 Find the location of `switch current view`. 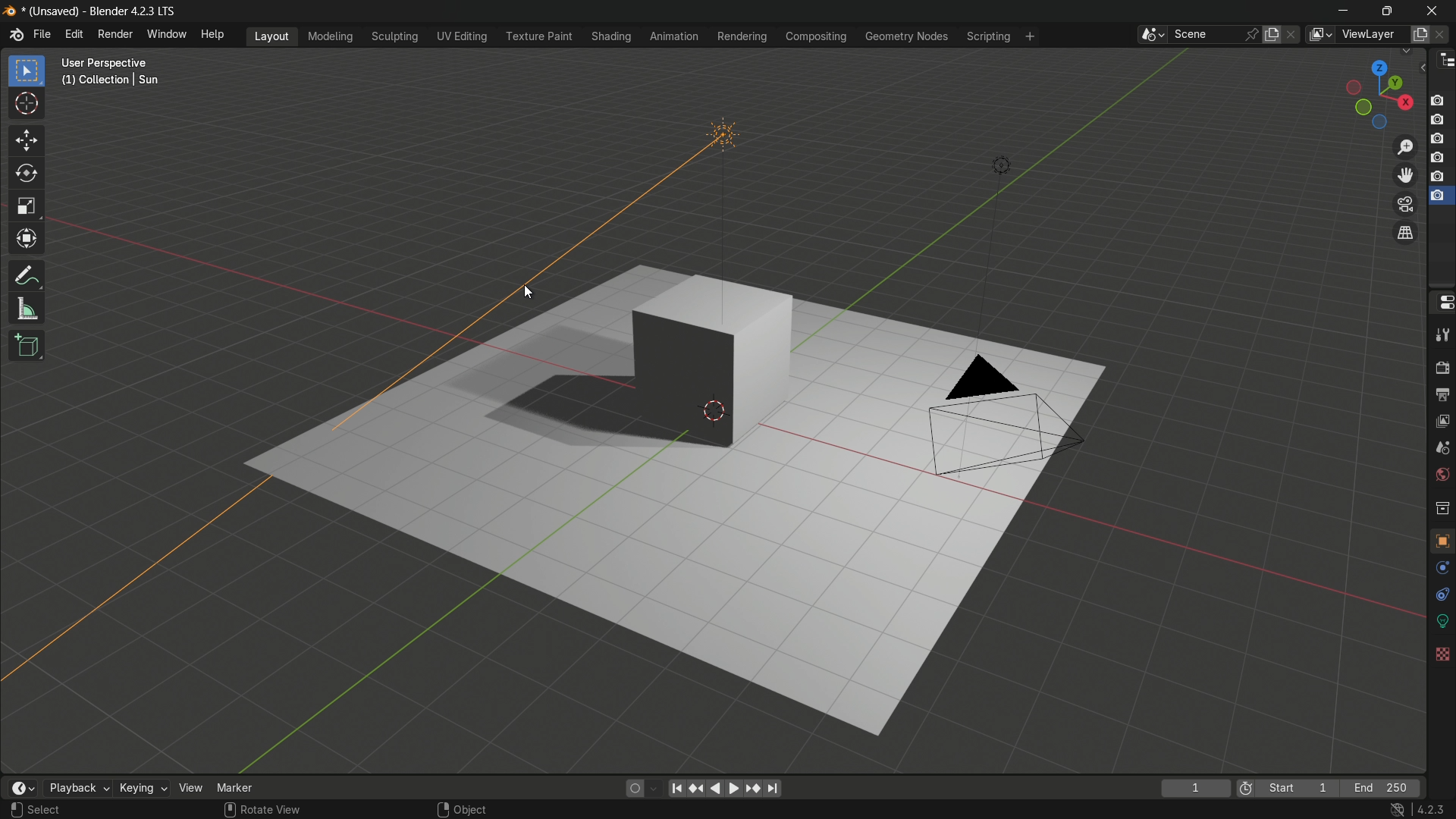

switch current view is located at coordinates (1407, 233).